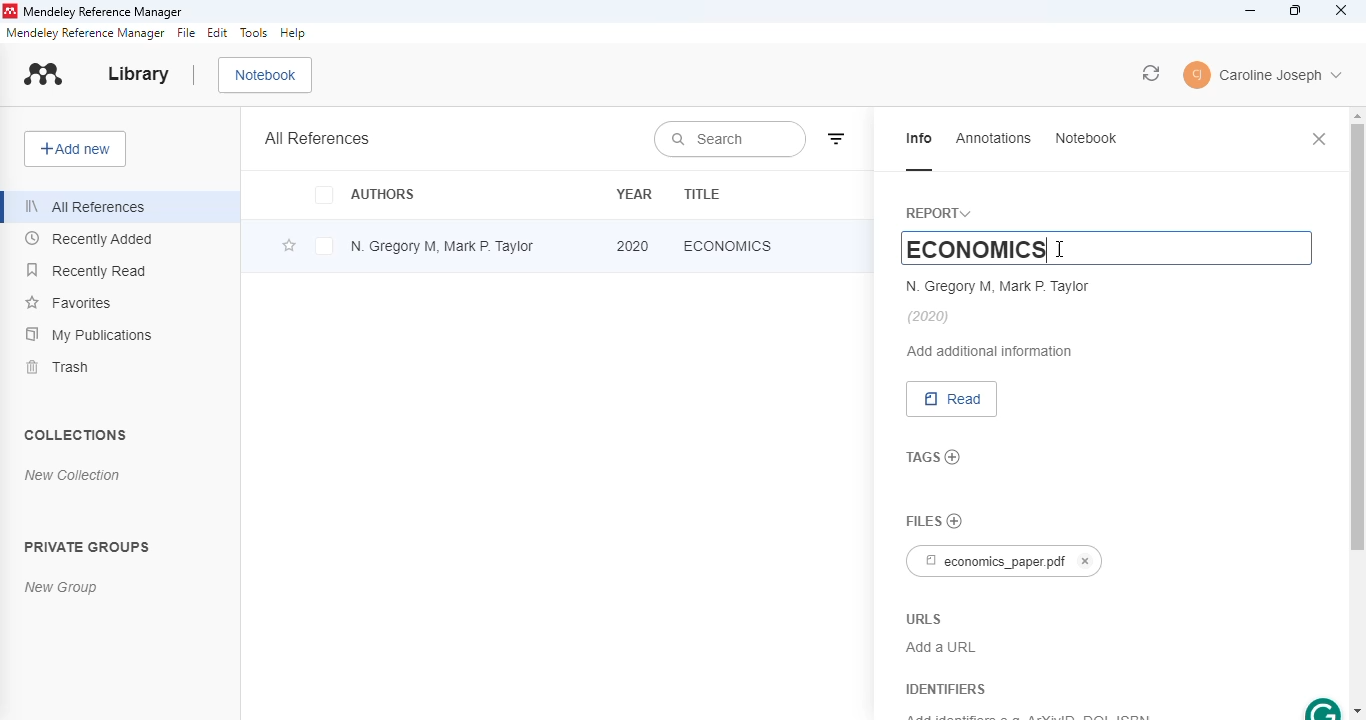  I want to click on title, so click(703, 195).